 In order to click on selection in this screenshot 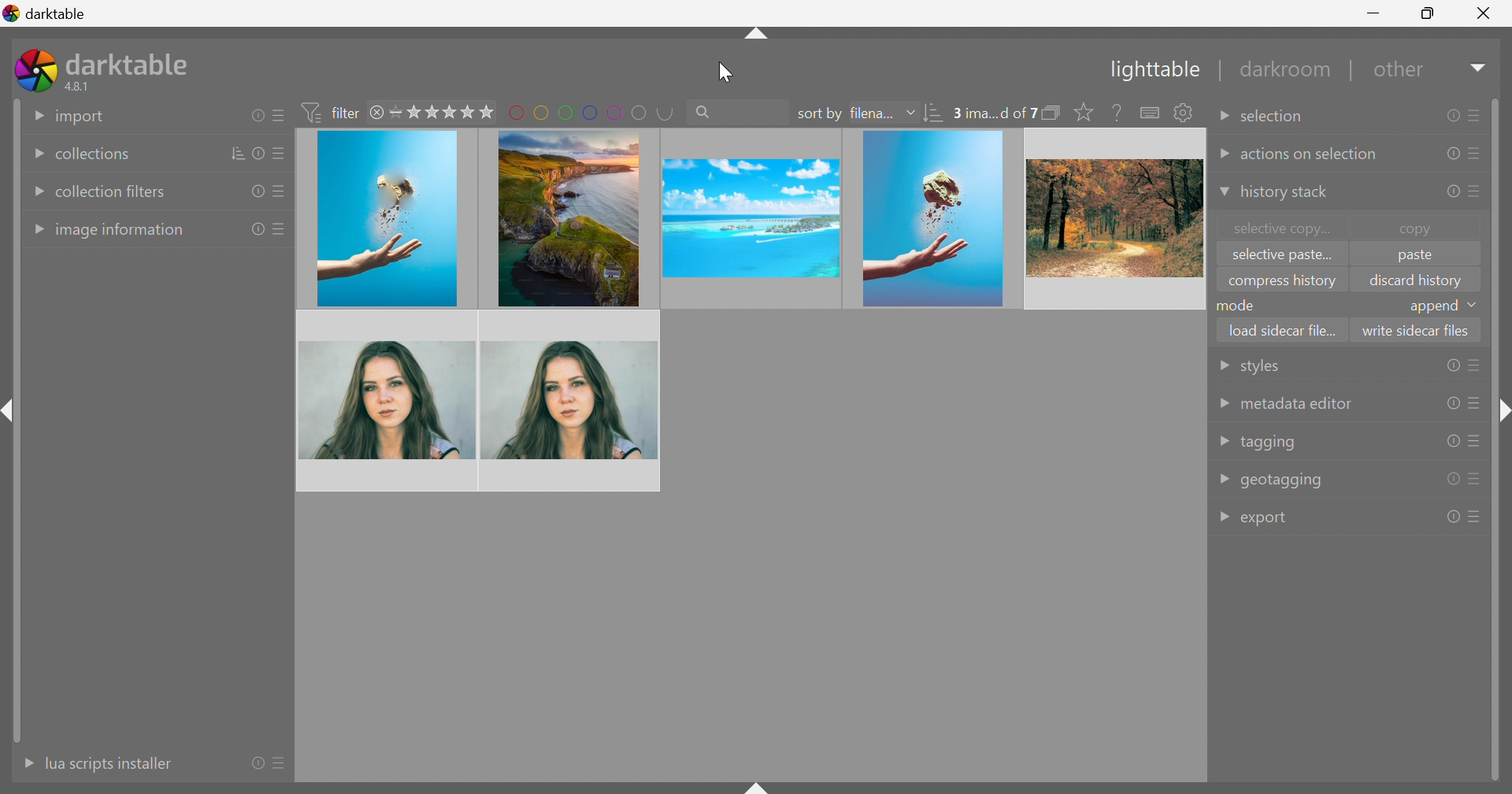, I will do `click(1277, 117)`.